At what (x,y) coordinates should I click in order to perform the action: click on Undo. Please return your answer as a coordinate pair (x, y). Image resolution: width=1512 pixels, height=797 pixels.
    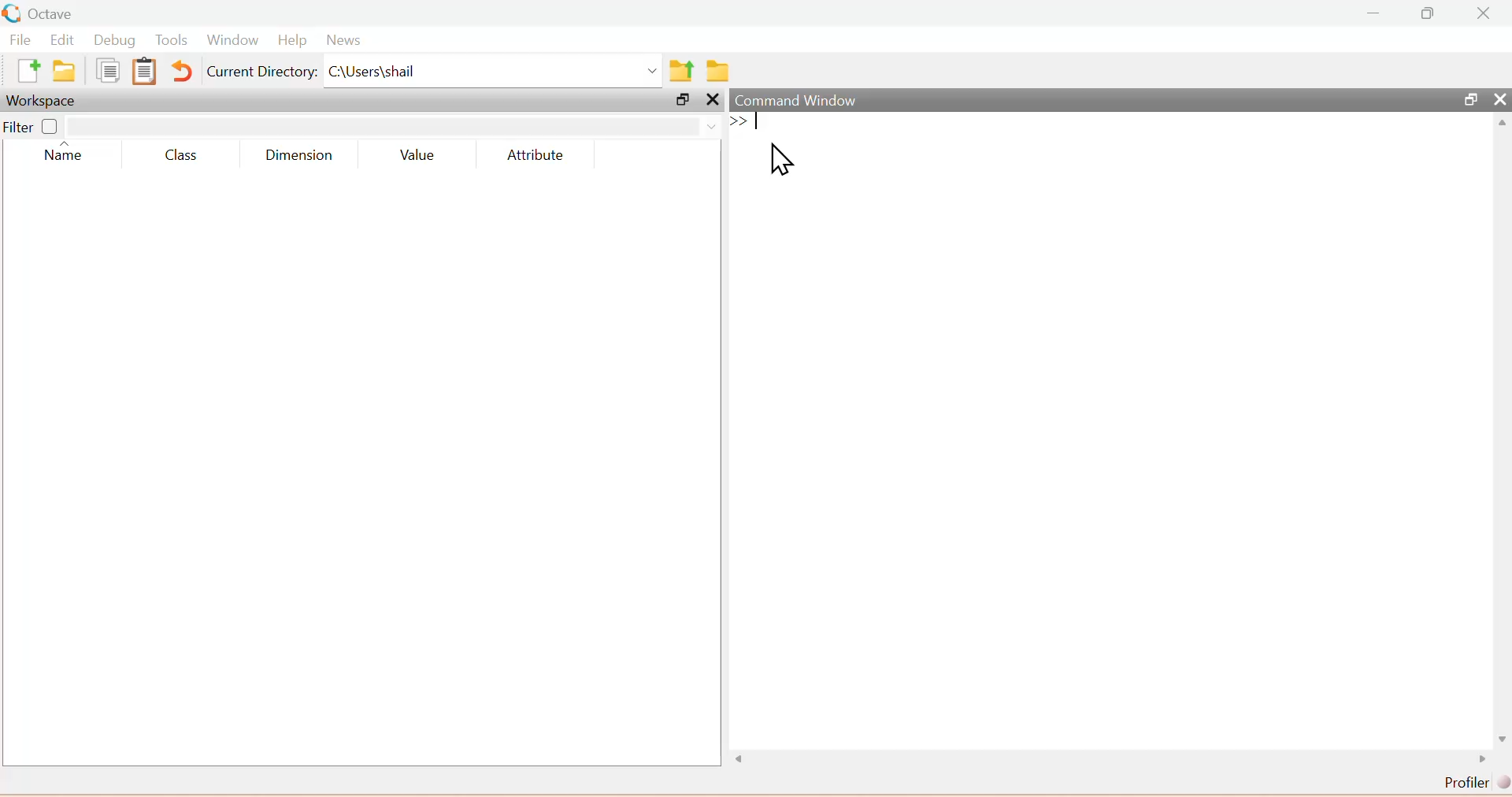
    Looking at the image, I should click on (183, 72).